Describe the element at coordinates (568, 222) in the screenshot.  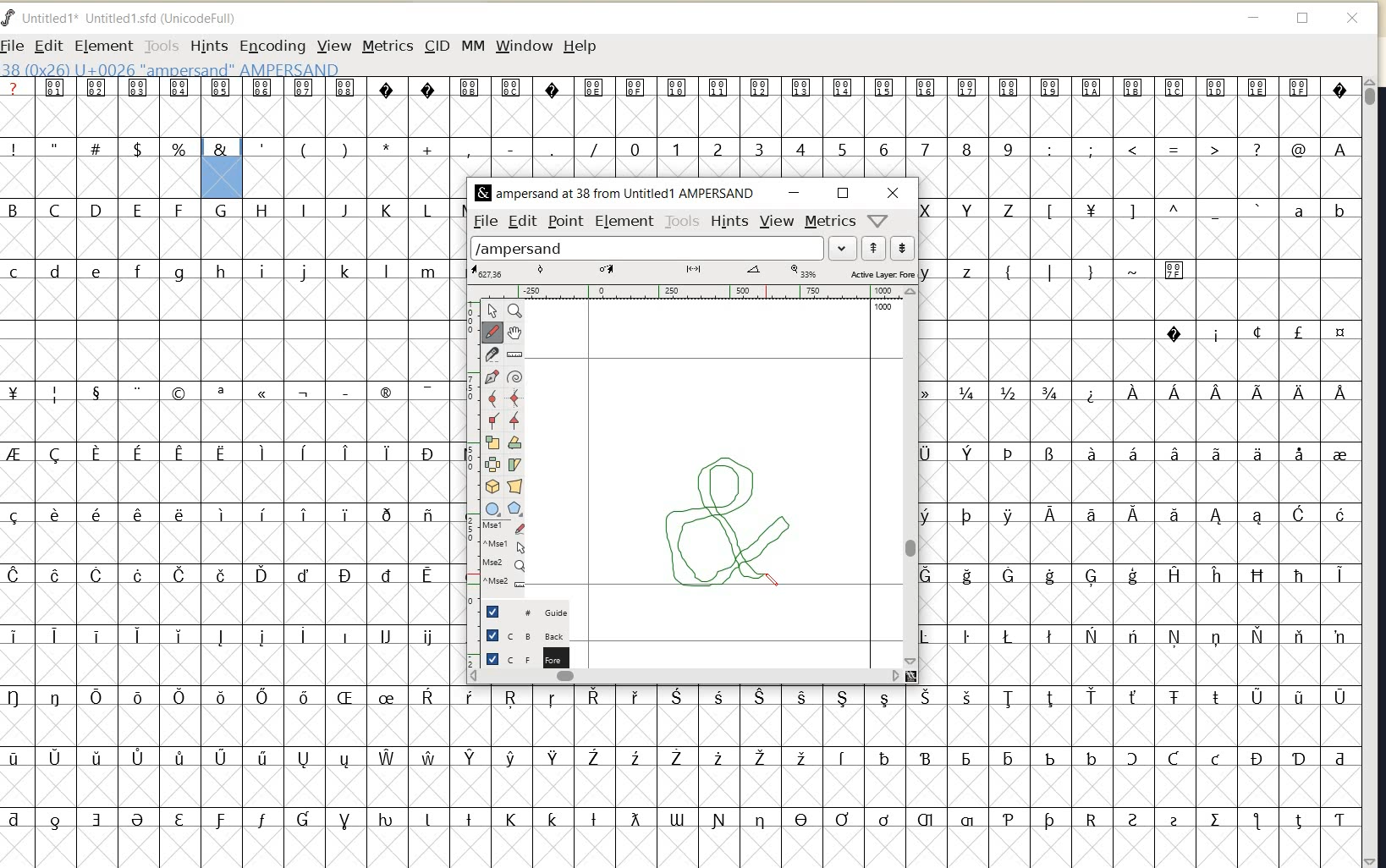
I see `POINT` at that location.